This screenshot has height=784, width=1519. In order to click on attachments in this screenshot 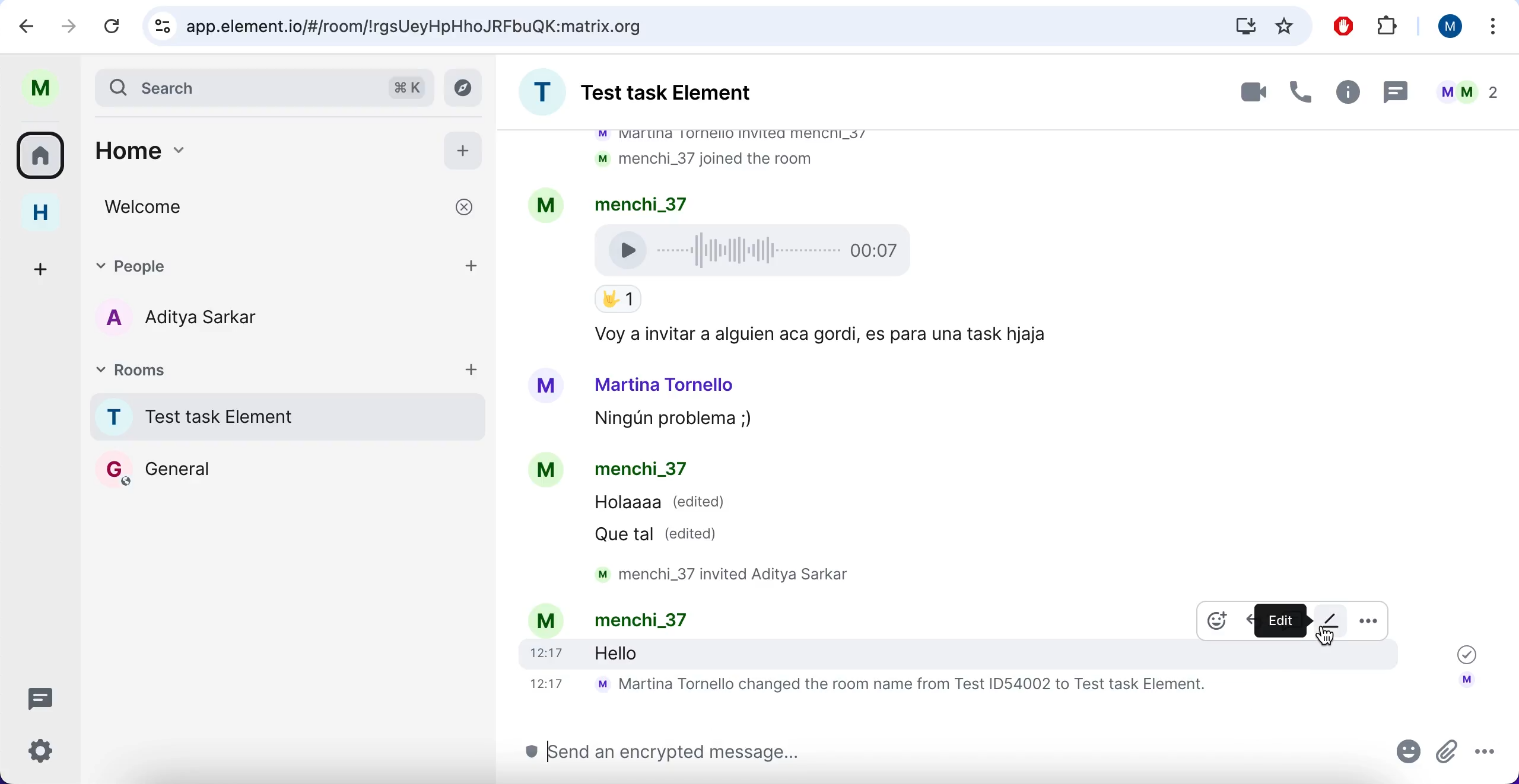, I will do `click(1447, 758)`.